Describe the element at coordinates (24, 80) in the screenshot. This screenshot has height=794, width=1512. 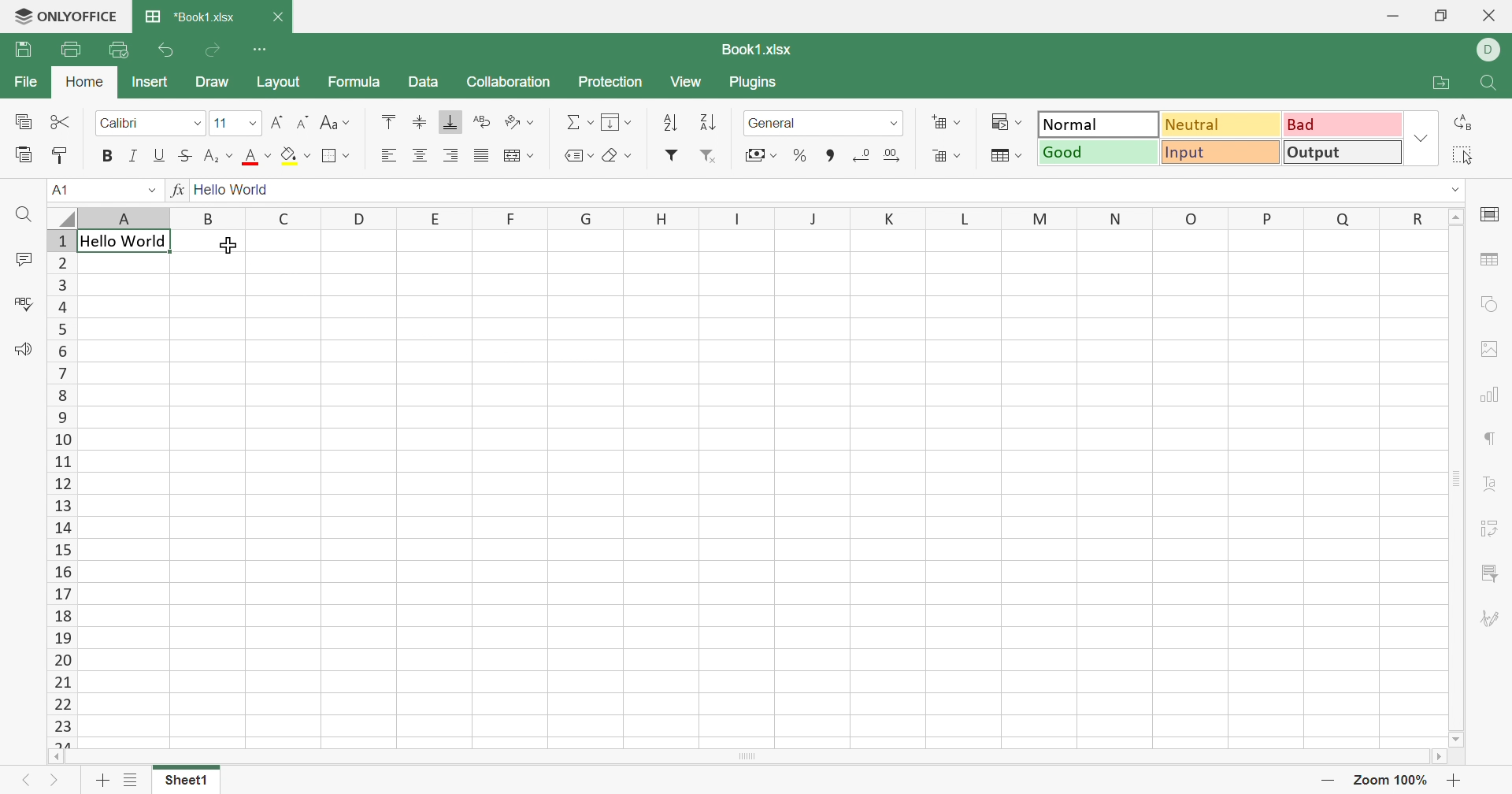
I see `File` at that location.